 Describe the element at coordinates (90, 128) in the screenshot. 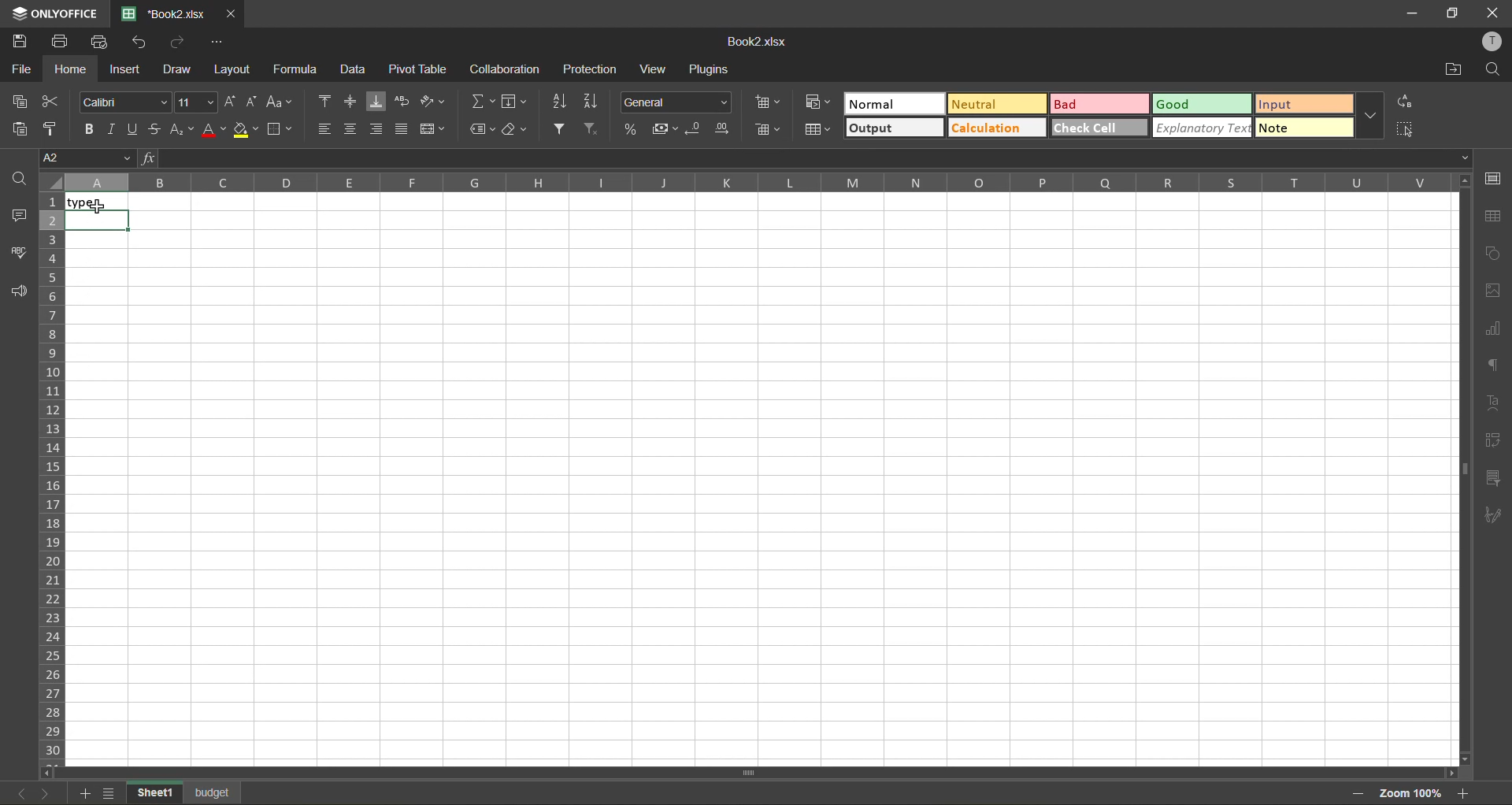

I see `bold` at that location.